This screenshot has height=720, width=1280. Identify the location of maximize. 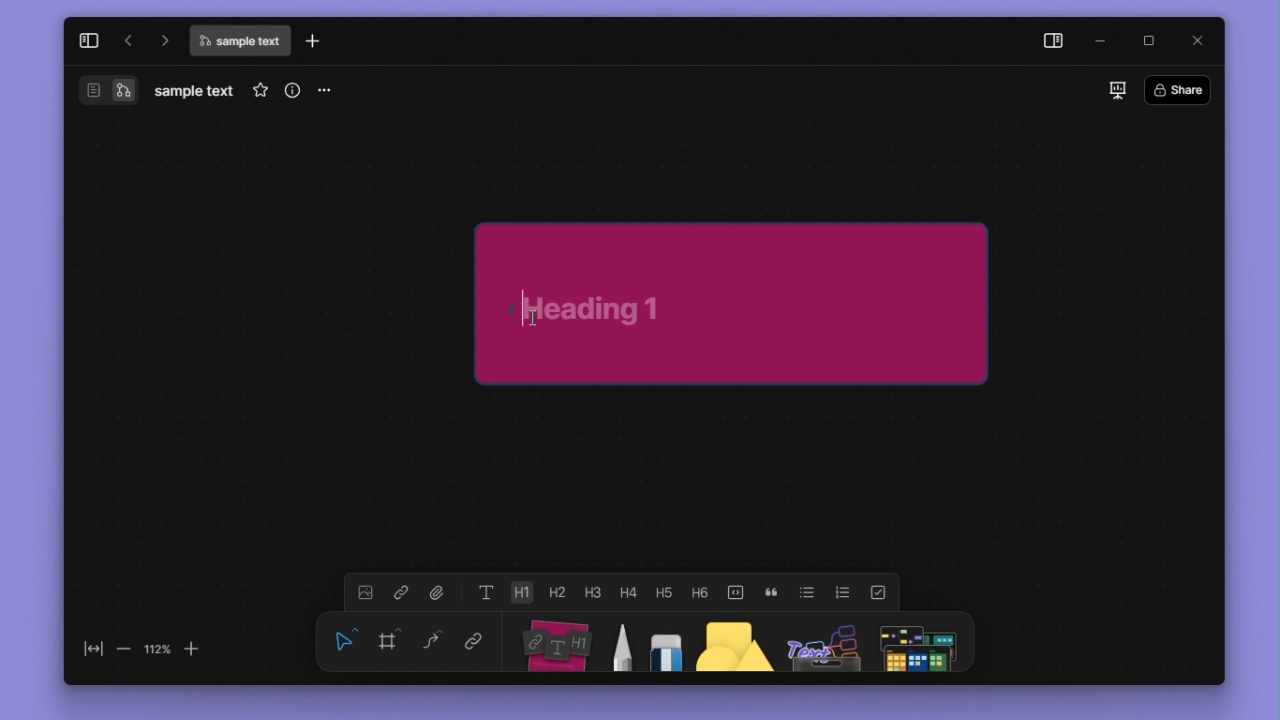
(1148, 41).